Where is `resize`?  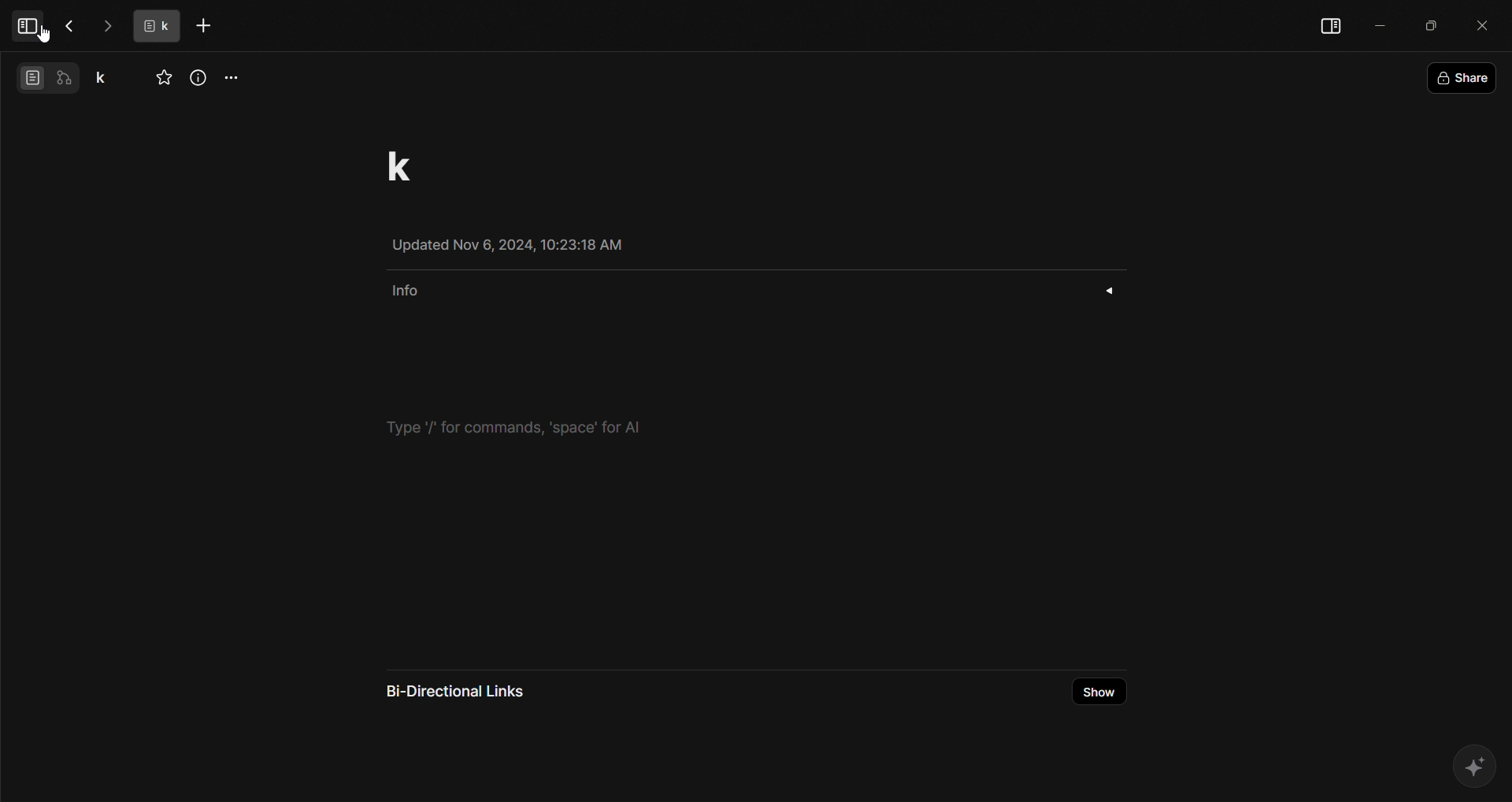 resize is located at coordinates (1429, 23).